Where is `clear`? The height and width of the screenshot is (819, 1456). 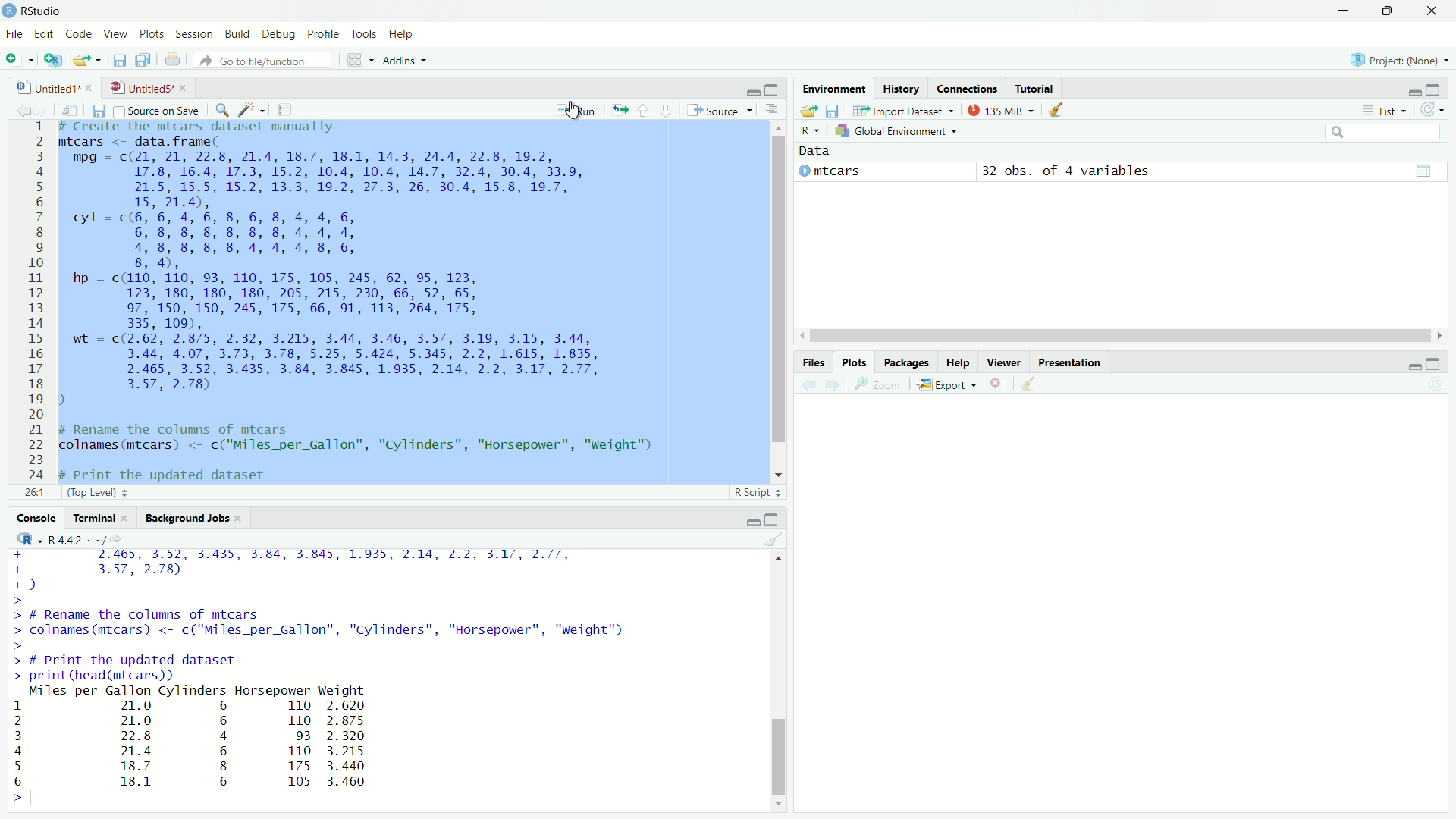 clear is located at coordinates (1062, 111).